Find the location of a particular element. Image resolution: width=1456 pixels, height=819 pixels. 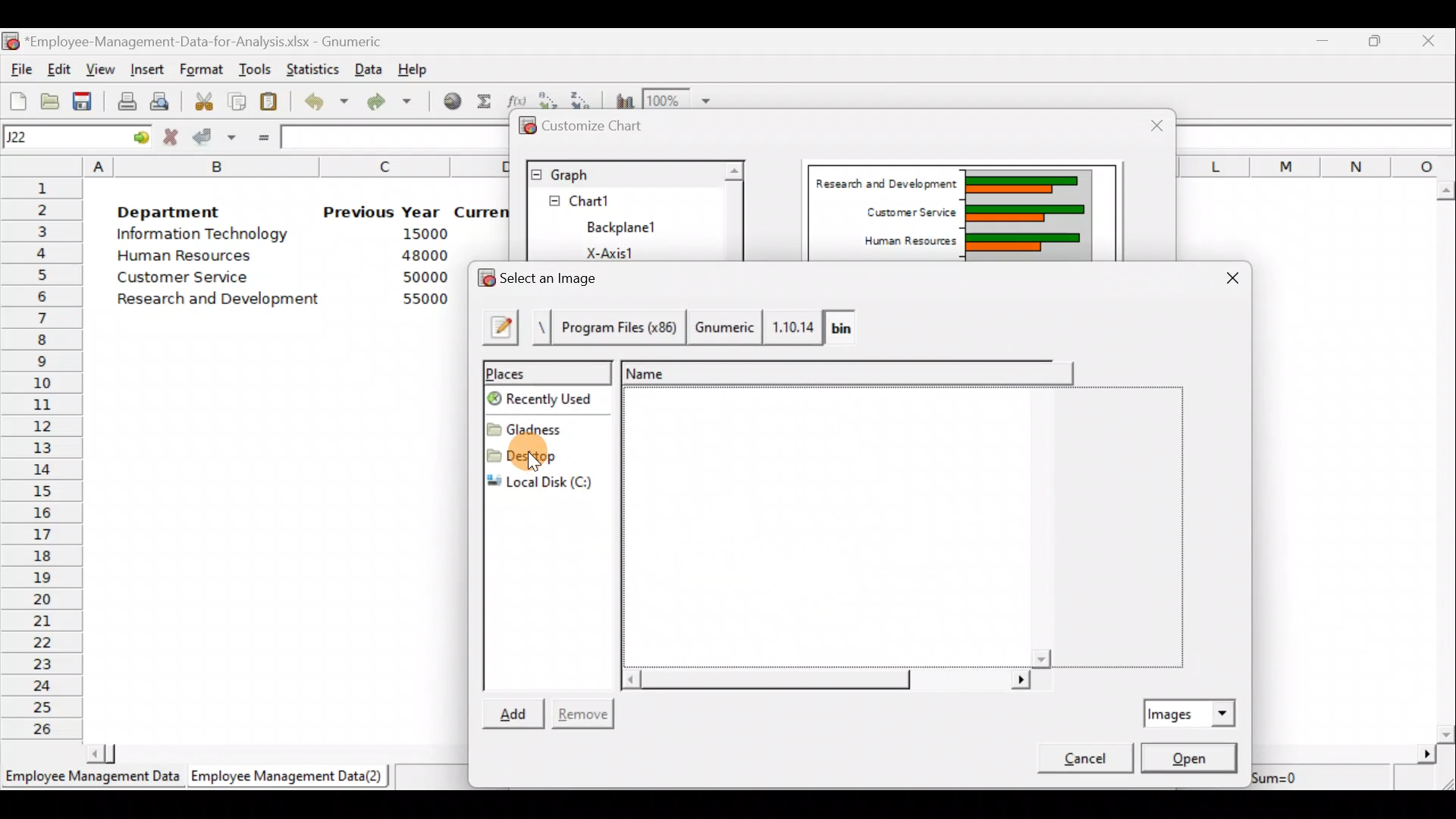

BackPlane1 is located at coordinates (631, 225).